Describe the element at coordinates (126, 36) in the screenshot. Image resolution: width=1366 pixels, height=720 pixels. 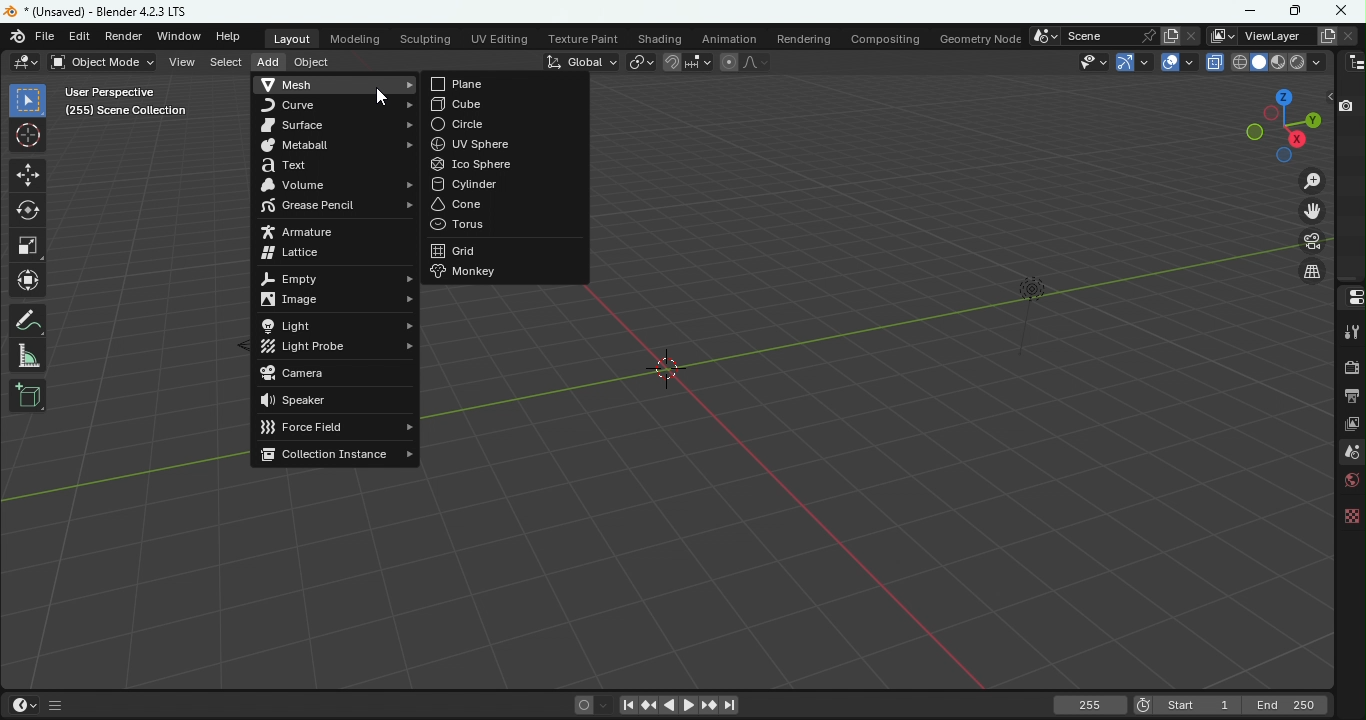
I see `Render` at that location.